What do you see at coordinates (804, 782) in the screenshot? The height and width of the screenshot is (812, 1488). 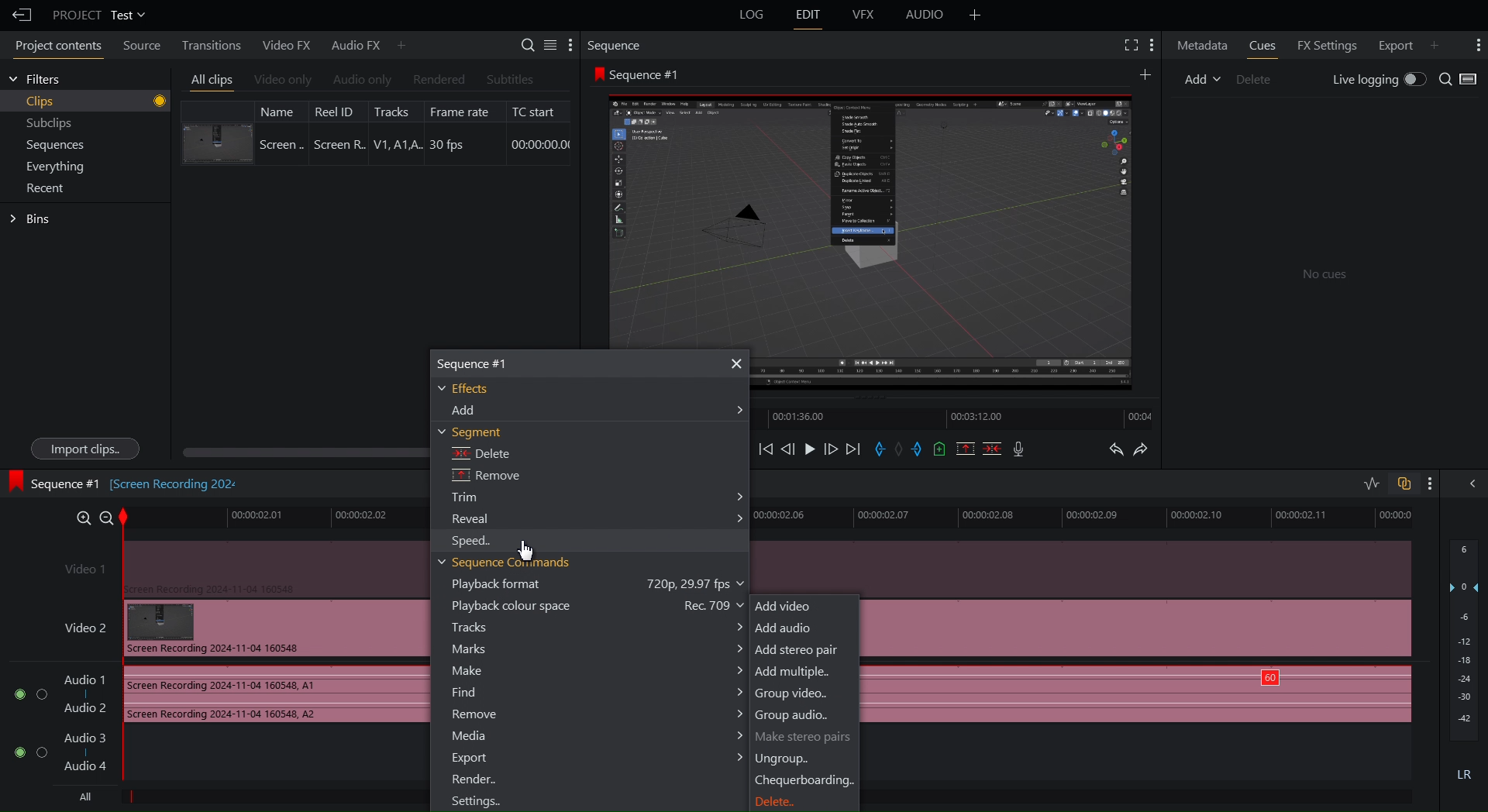 I see `Chequerboarding` at bounding box center [804, 782].